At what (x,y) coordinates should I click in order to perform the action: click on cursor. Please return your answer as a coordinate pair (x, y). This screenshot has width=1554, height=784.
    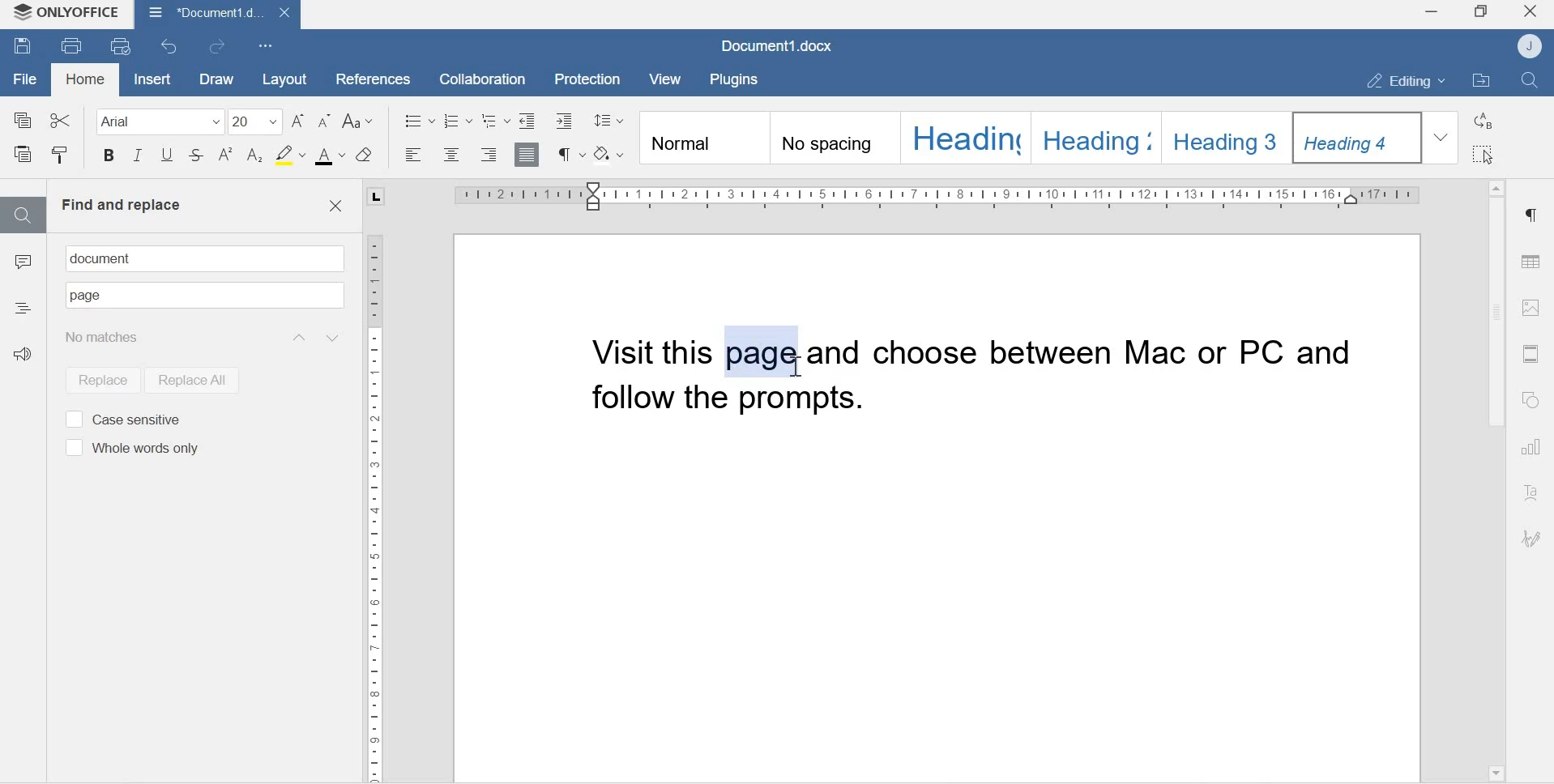
    Looking at the image, I should click on (792, 361).